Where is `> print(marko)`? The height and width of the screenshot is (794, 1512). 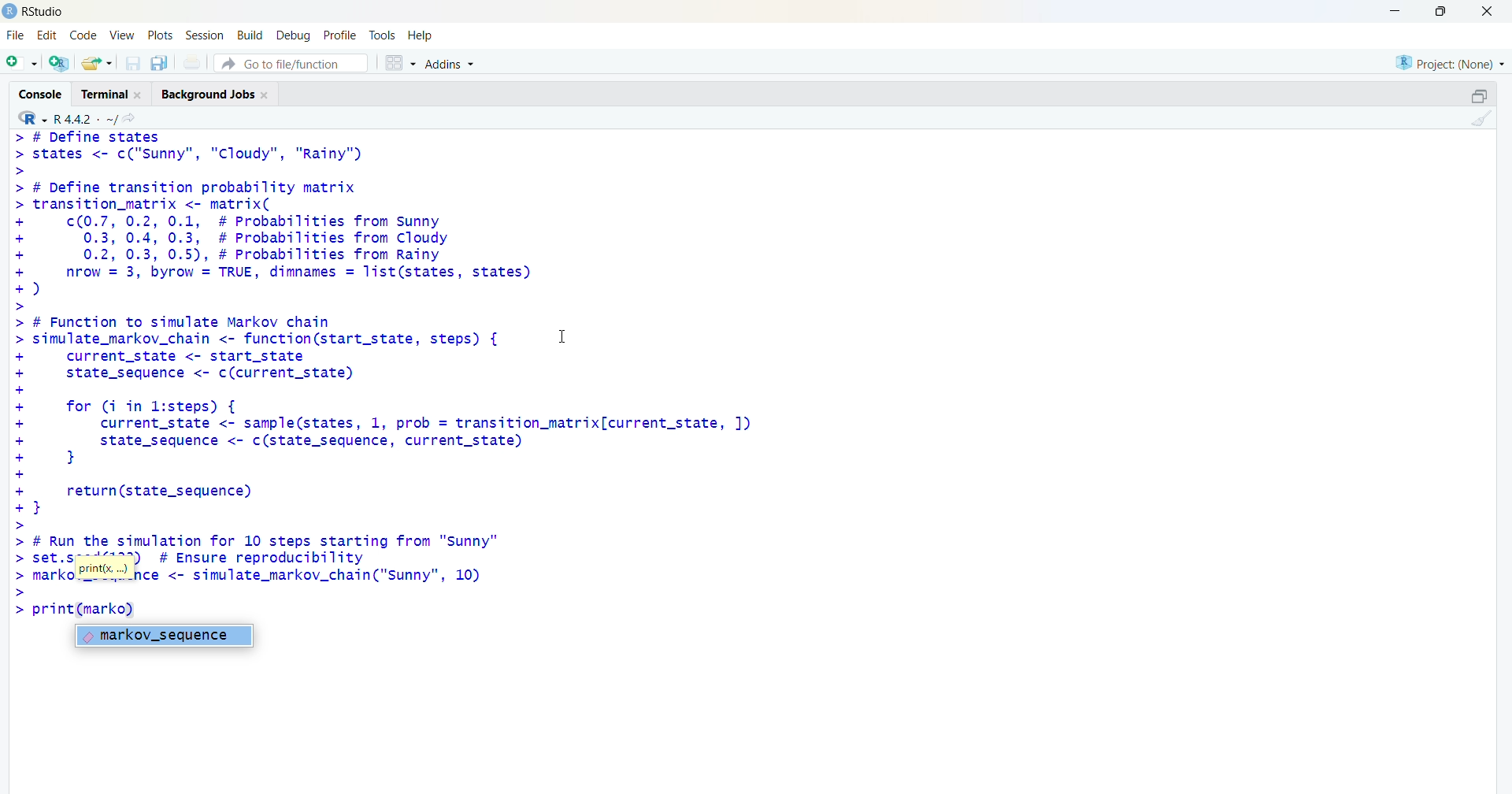 > print(marko) is located at coordinates (78, 610).